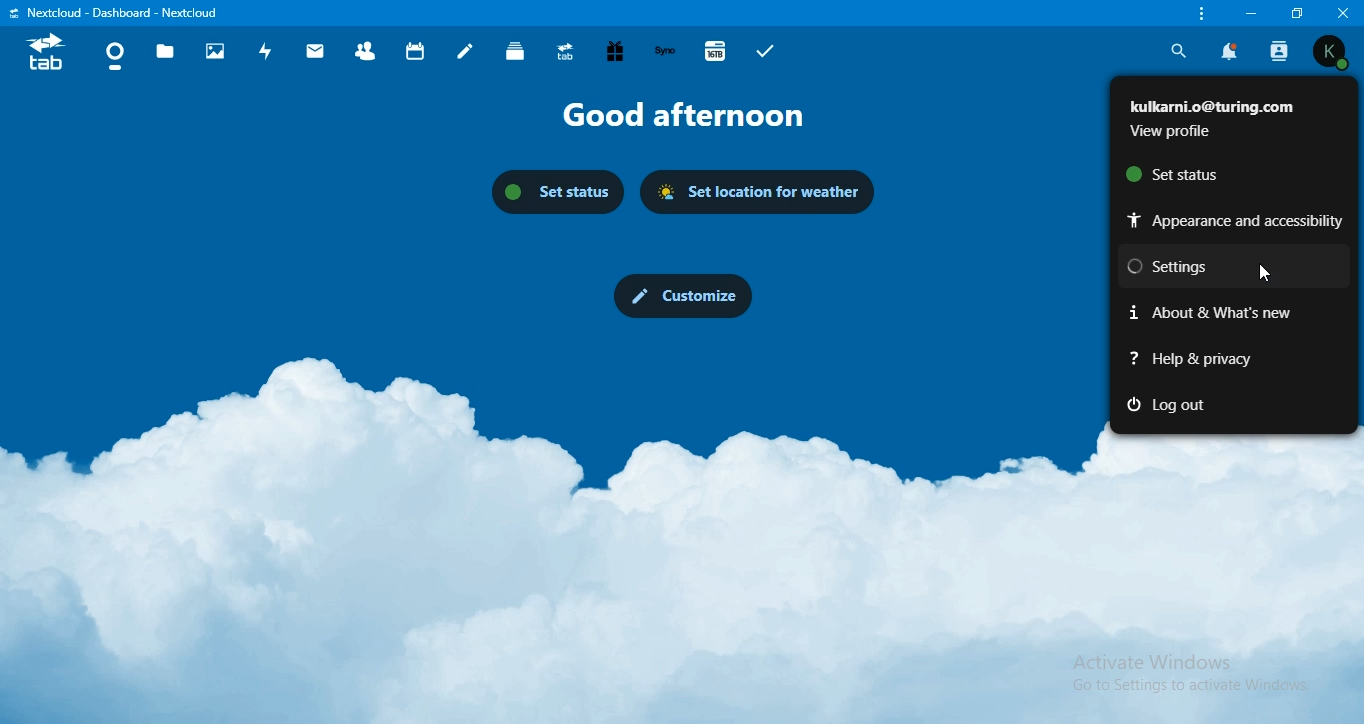  Describe the element at coordinates (1199, 14) in the screenshot. I see `customize & control nextcloud` at that location.